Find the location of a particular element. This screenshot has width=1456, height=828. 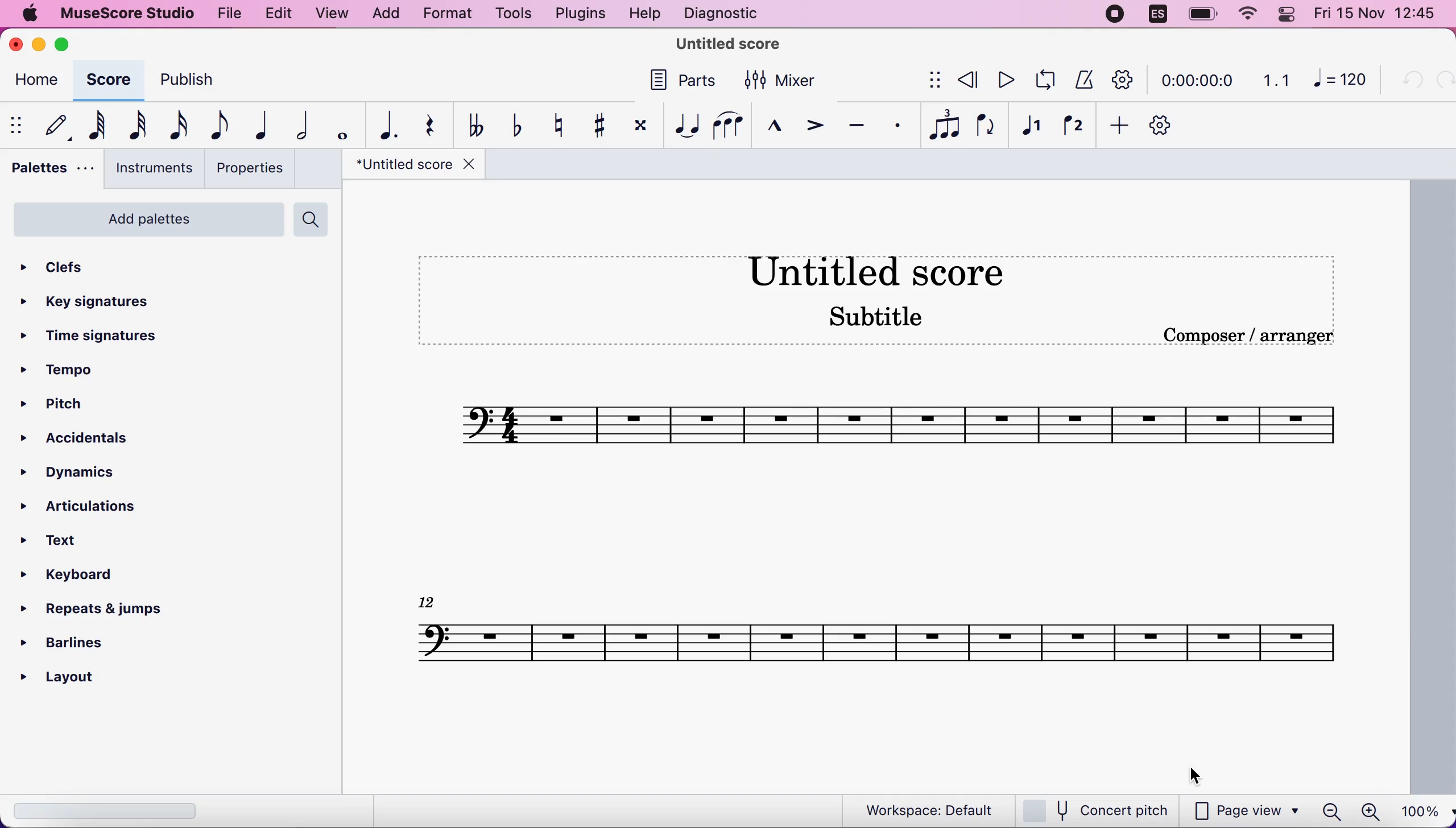

MuseScore Studio is located at coordinates (729, 43).